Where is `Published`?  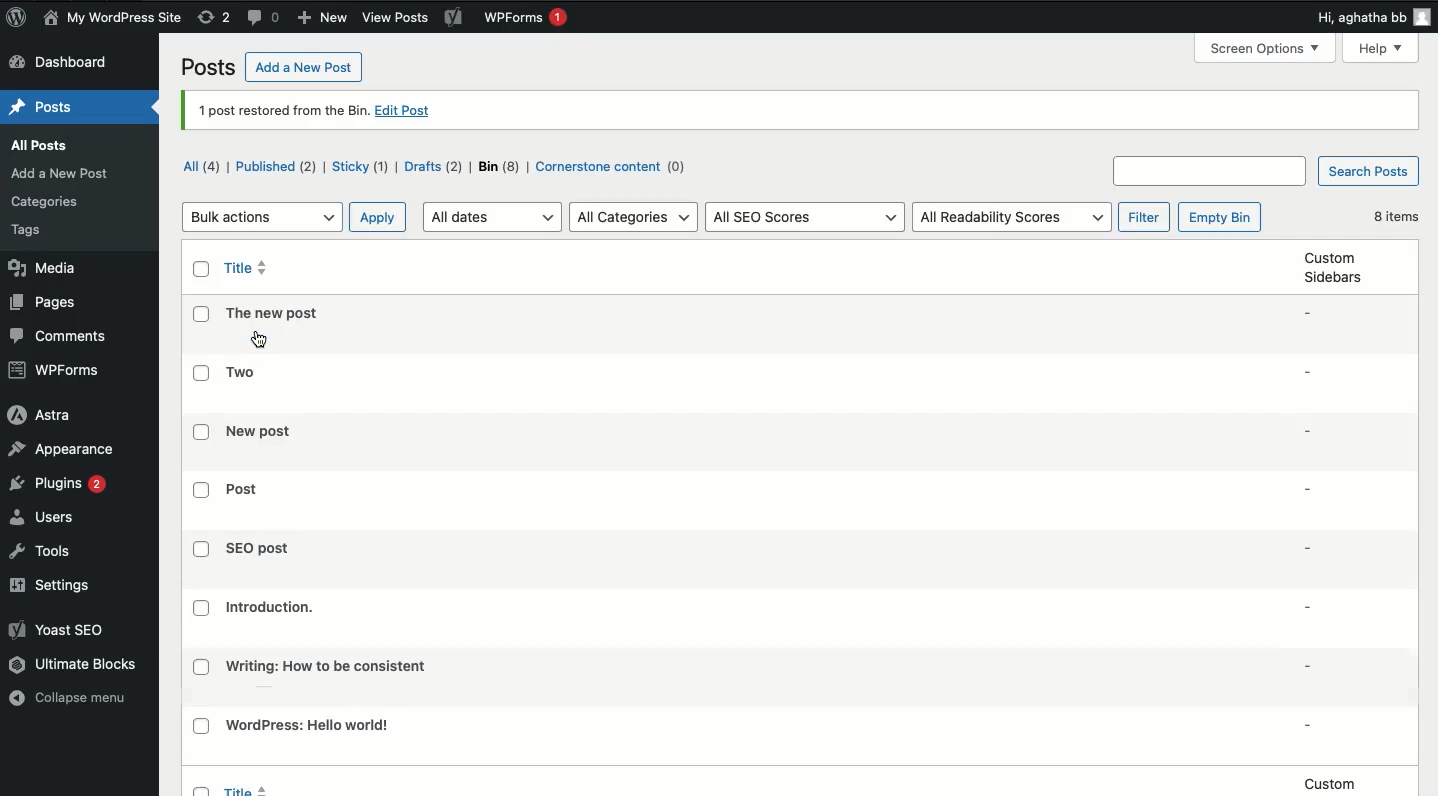
Published is located at coordinates (277, 166).